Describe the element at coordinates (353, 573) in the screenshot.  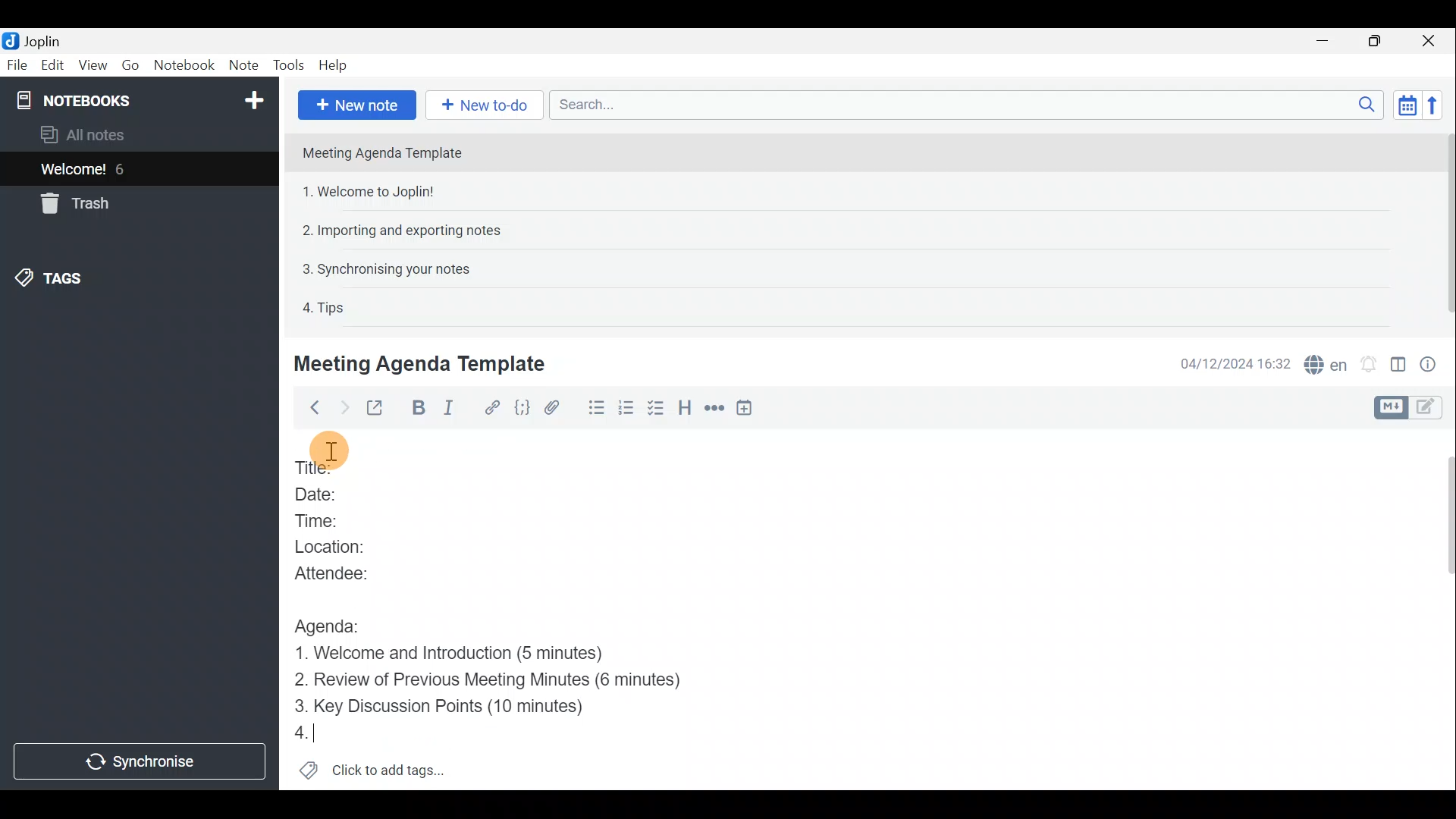
I see `Attendee:` at that location.